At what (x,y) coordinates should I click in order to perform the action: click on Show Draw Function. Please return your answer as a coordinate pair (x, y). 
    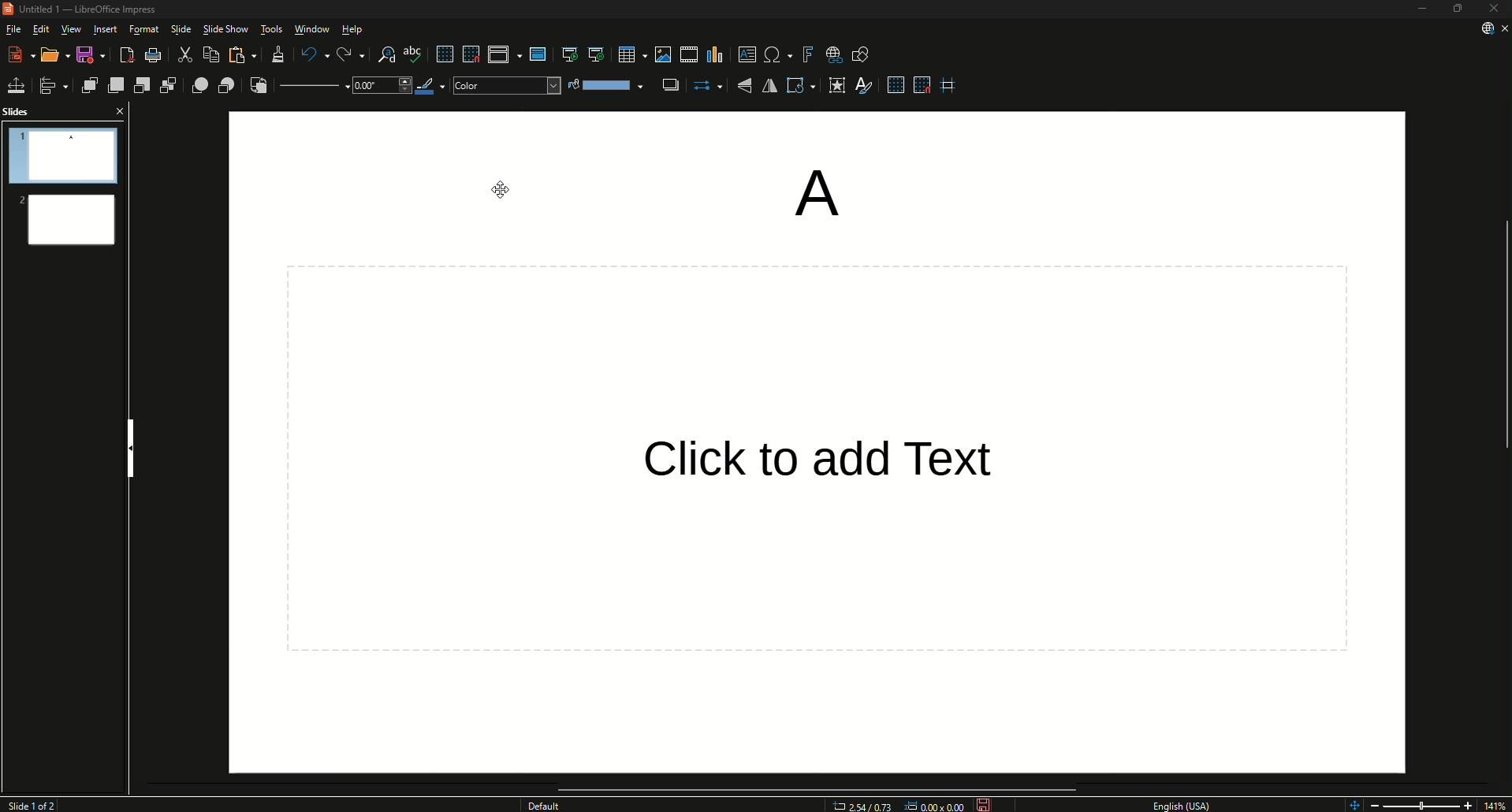
    Looking at the image, I should click on (859, 54).